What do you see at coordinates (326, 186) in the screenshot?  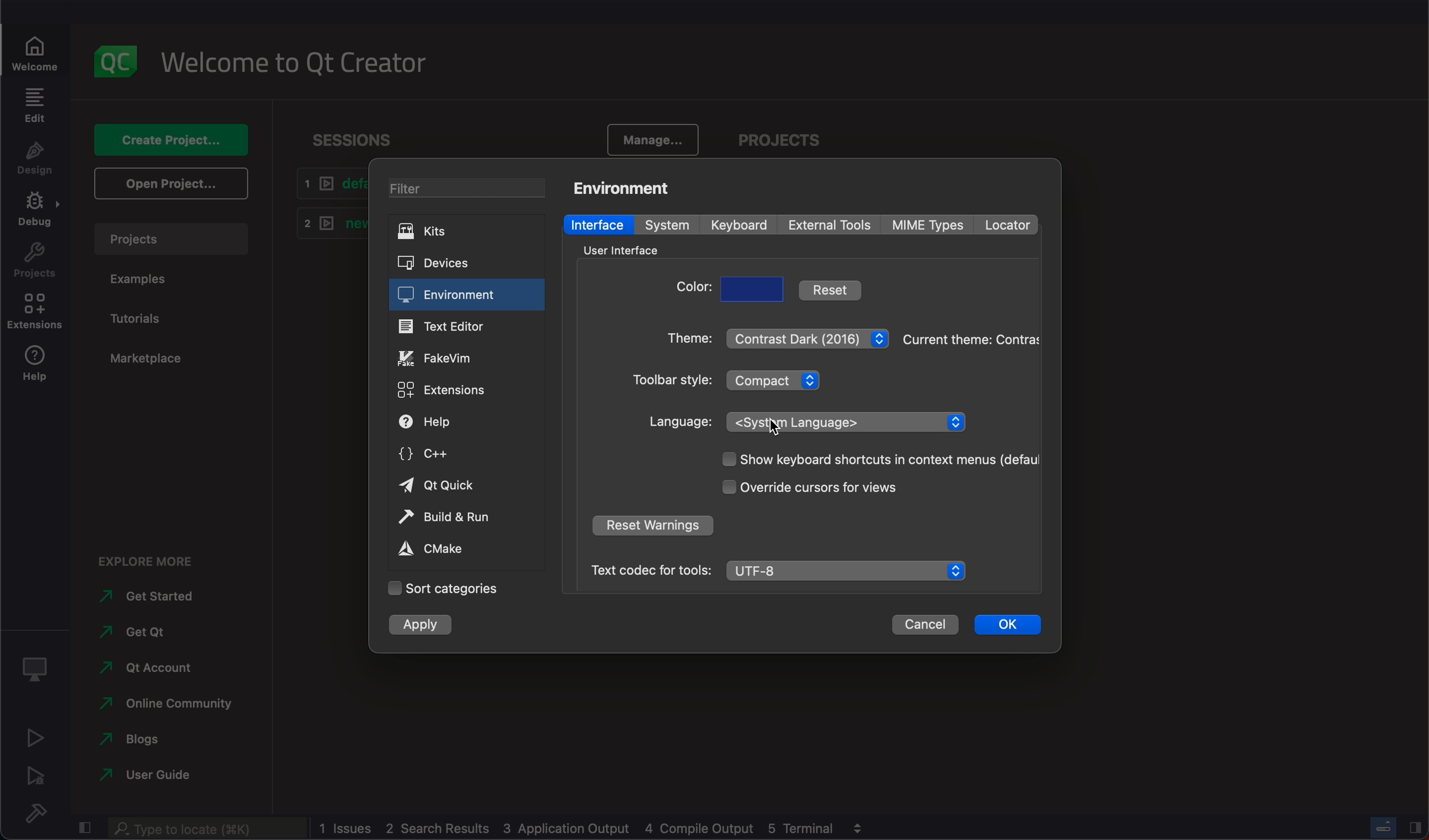 I see `default` at bounding box center [326, 186].